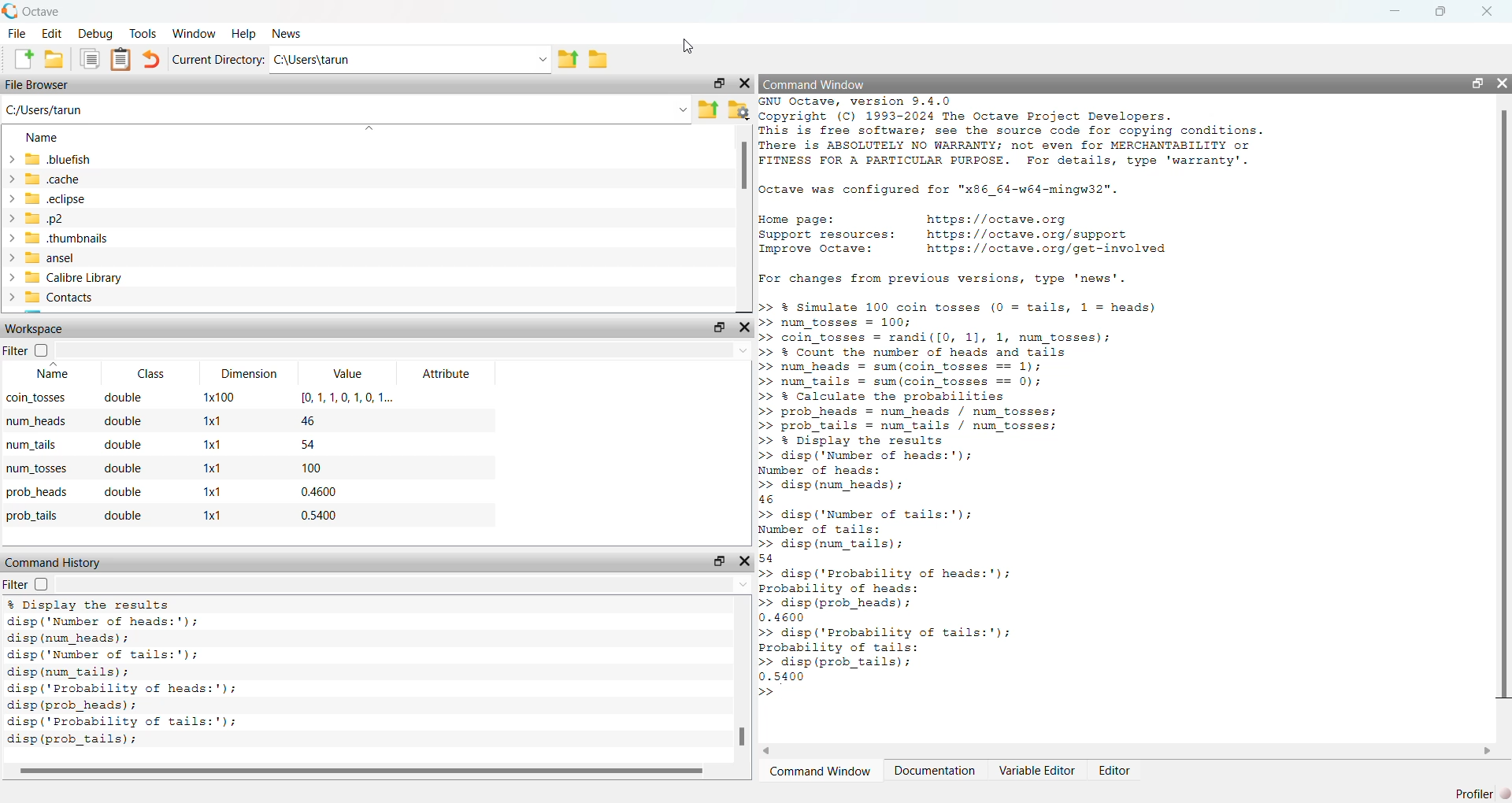  I want to click on Command History, so click(53, 563).